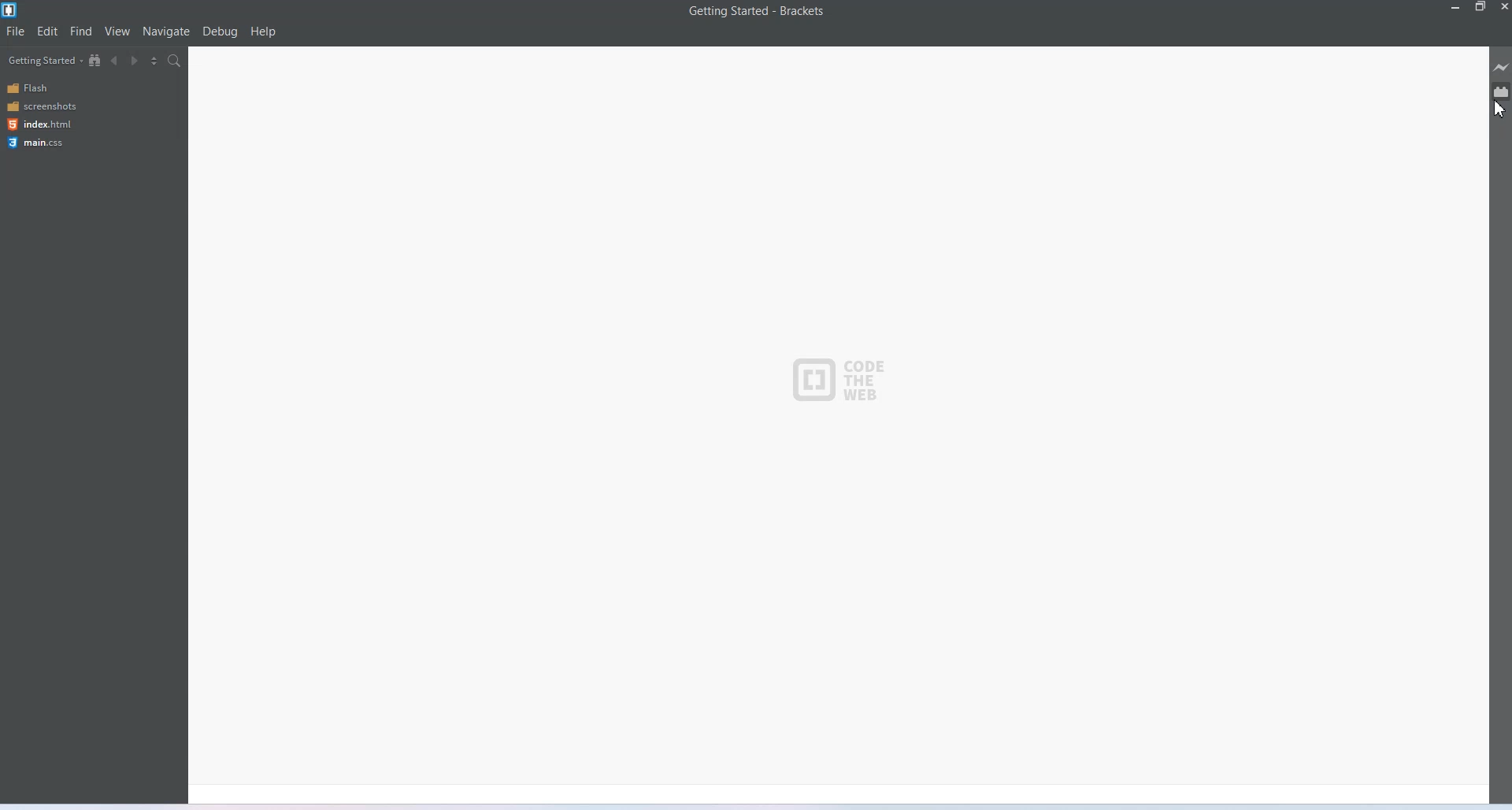  Describe the element at coordinates (43, 61) in the screenshot. I see `Getting Started` at that location.